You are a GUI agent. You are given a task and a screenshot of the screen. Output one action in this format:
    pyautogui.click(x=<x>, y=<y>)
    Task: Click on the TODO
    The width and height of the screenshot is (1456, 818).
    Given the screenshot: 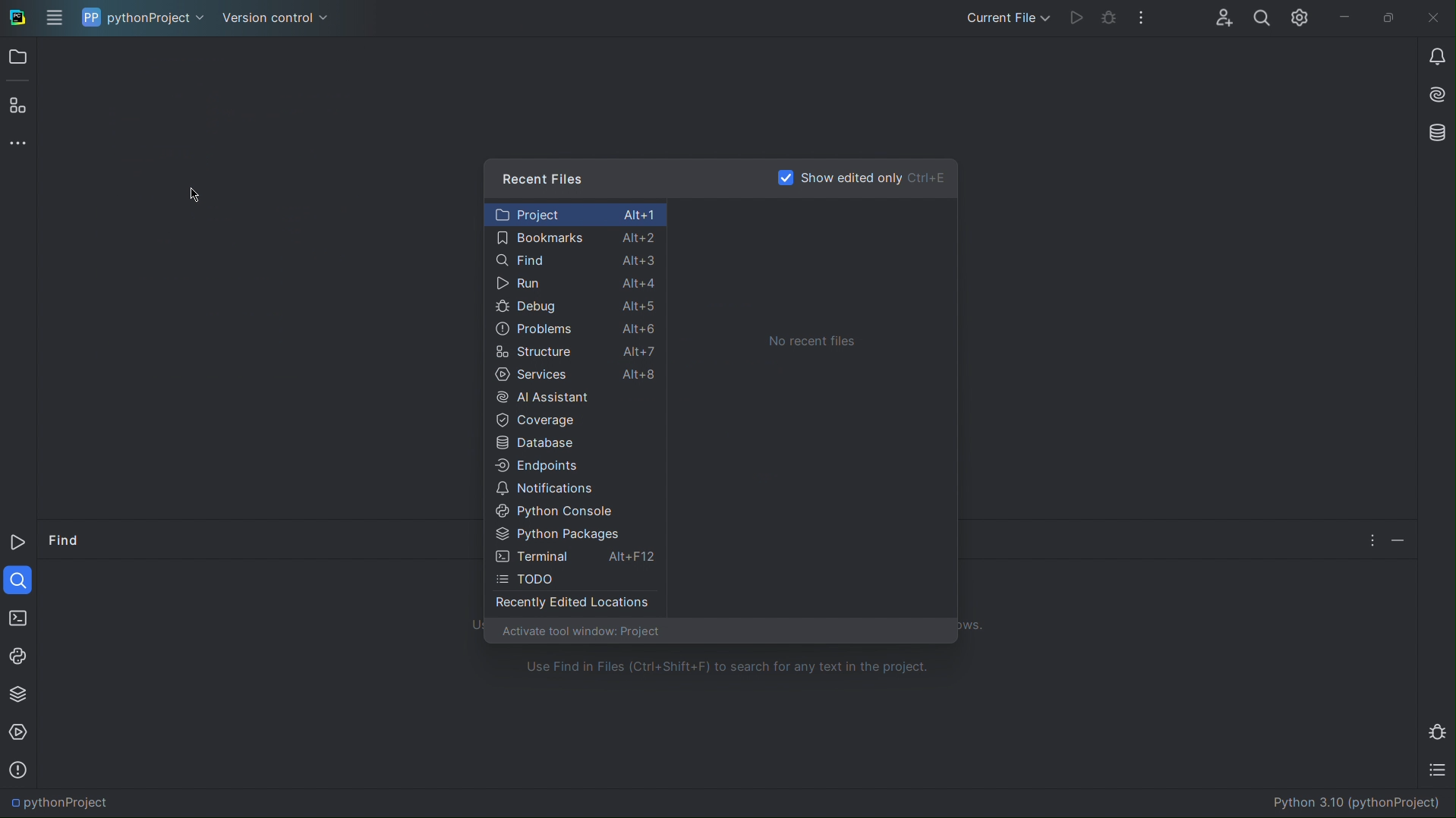 What is the action you would take?
    pyautogui.click(x=575, y=579)
    